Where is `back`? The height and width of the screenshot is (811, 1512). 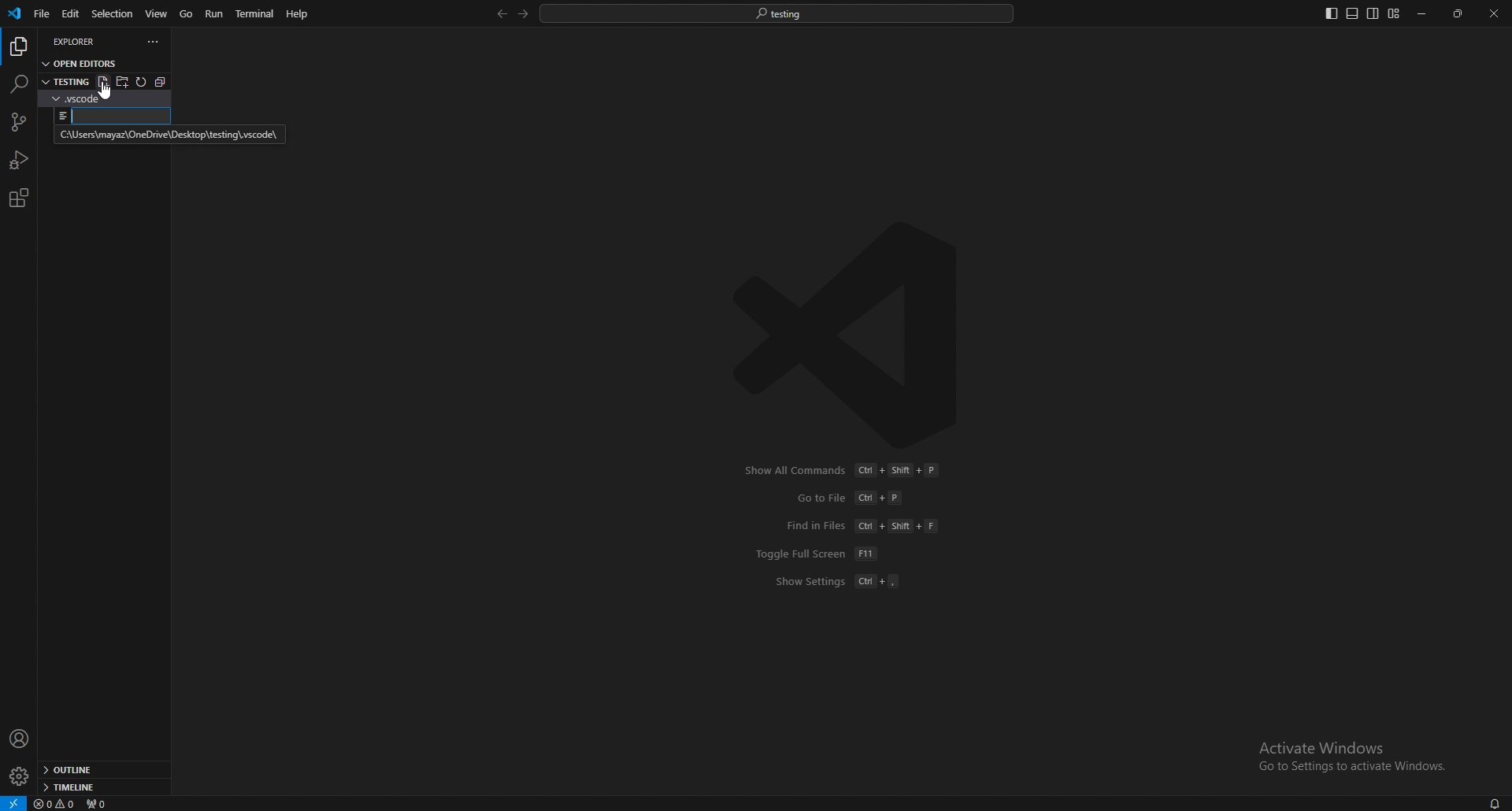
back is located at coordinates (498, 14).